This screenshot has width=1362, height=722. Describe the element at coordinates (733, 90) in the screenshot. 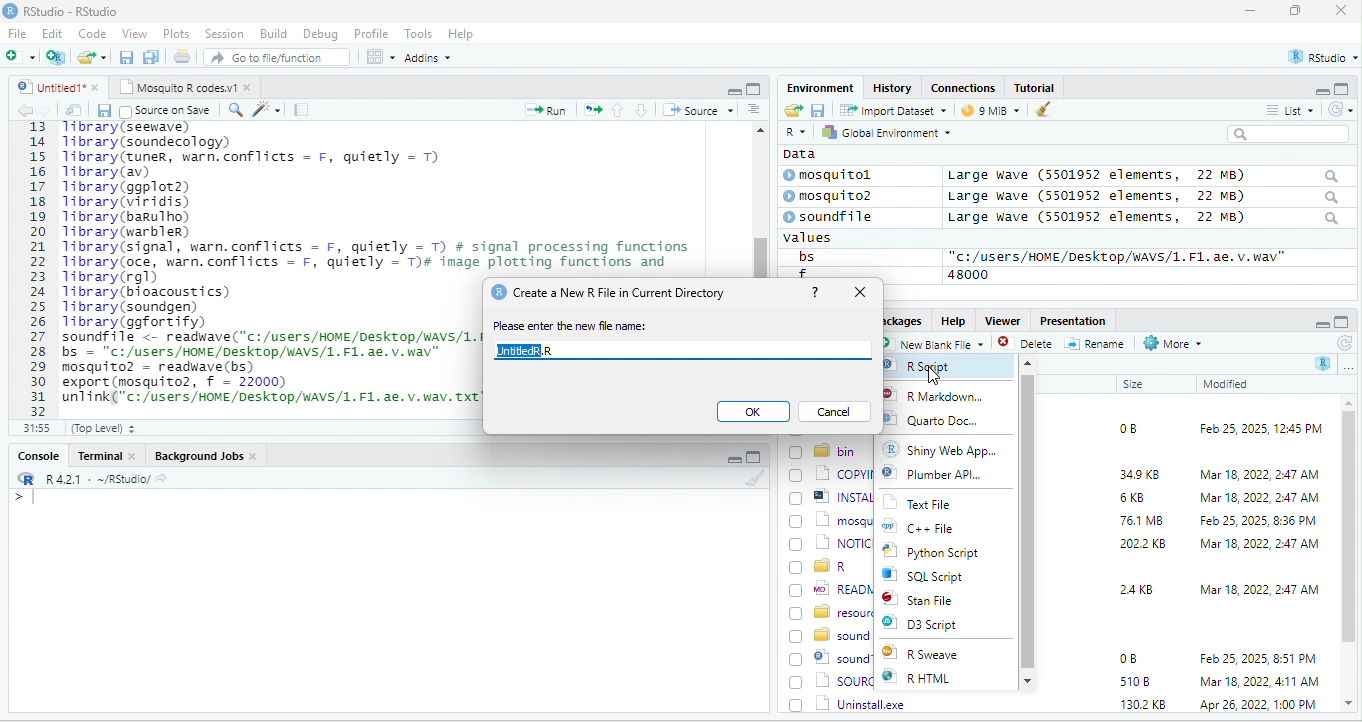

I see `minimize` at that location.